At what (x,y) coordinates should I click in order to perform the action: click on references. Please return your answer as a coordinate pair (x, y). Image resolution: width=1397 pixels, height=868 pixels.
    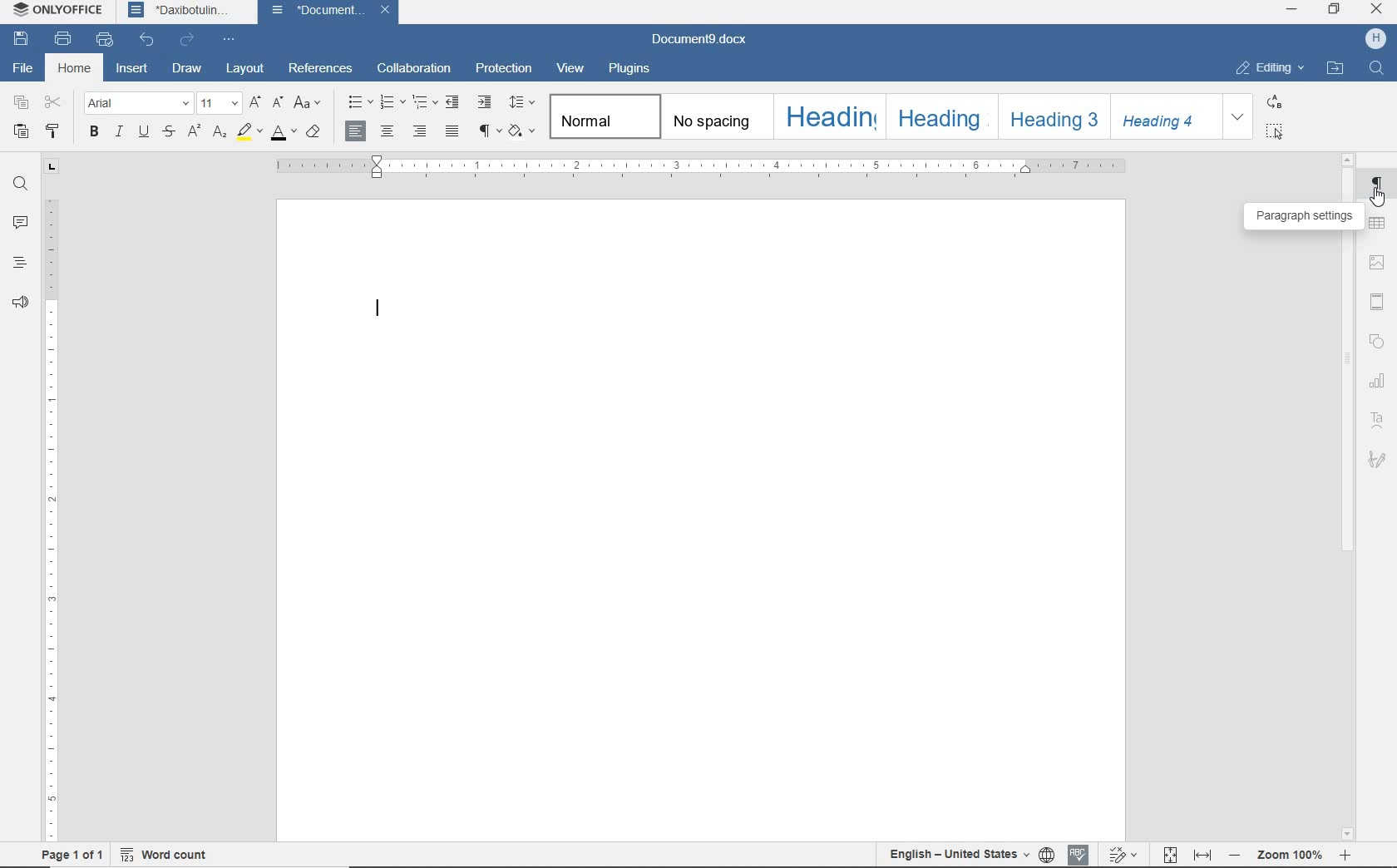
    Looking at the image, I should click on (323, 72).